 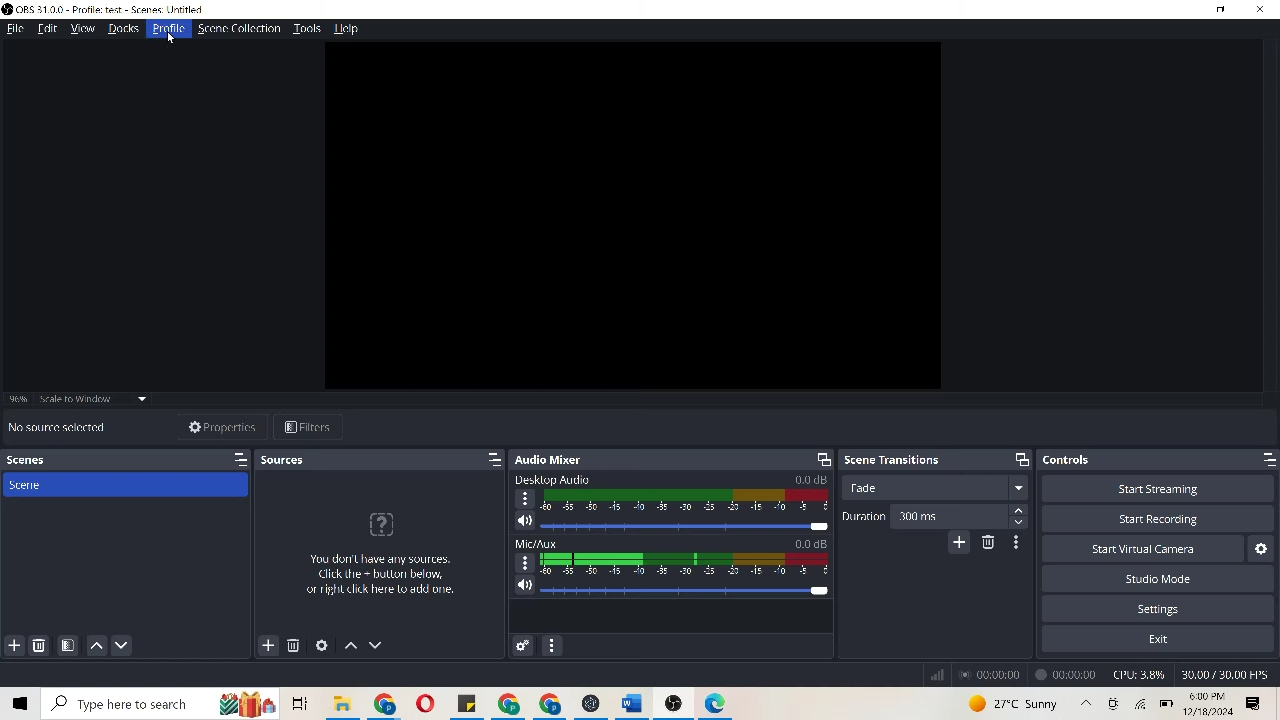 What do you see at coordinates (318, 644) in the screenshot?
I see `open source properties` at bounding box center [318, 644].